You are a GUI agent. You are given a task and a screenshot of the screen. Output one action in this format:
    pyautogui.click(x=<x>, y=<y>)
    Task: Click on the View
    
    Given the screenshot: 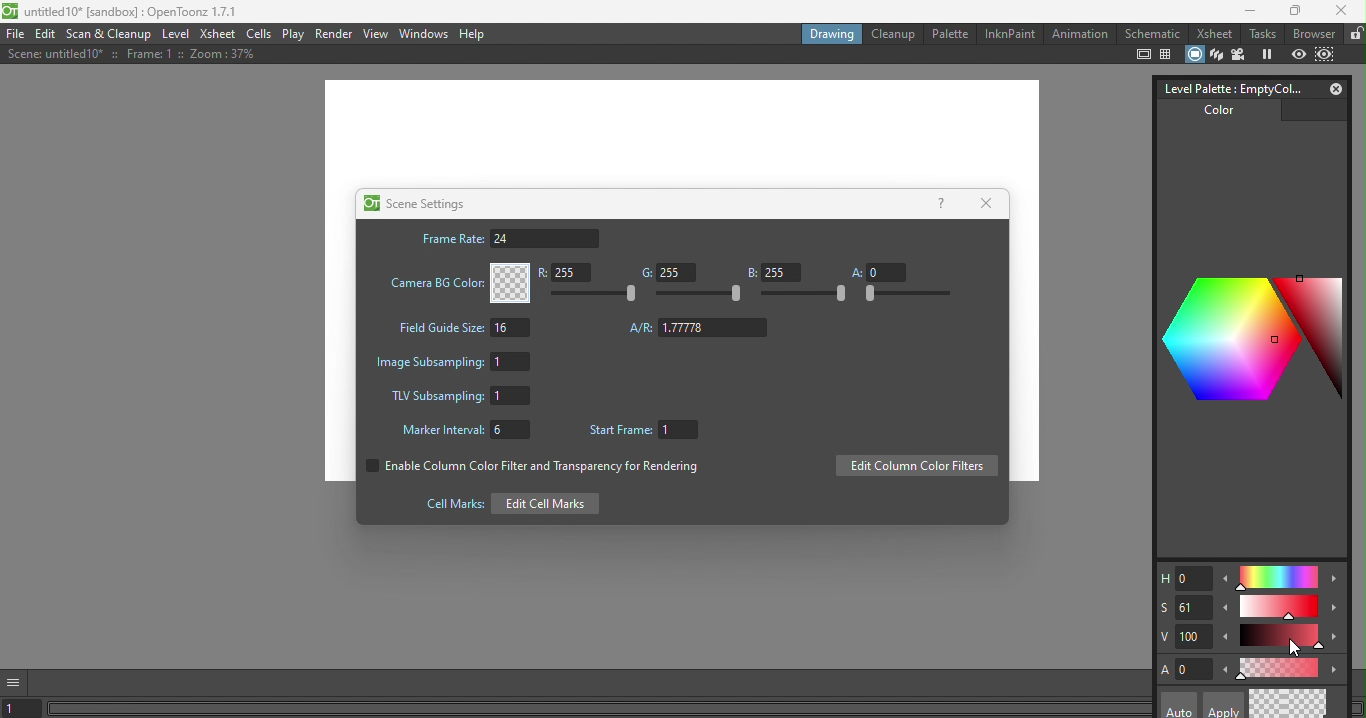 What is the action you would take?
    pyautogui.click(x=376, y=33)
    